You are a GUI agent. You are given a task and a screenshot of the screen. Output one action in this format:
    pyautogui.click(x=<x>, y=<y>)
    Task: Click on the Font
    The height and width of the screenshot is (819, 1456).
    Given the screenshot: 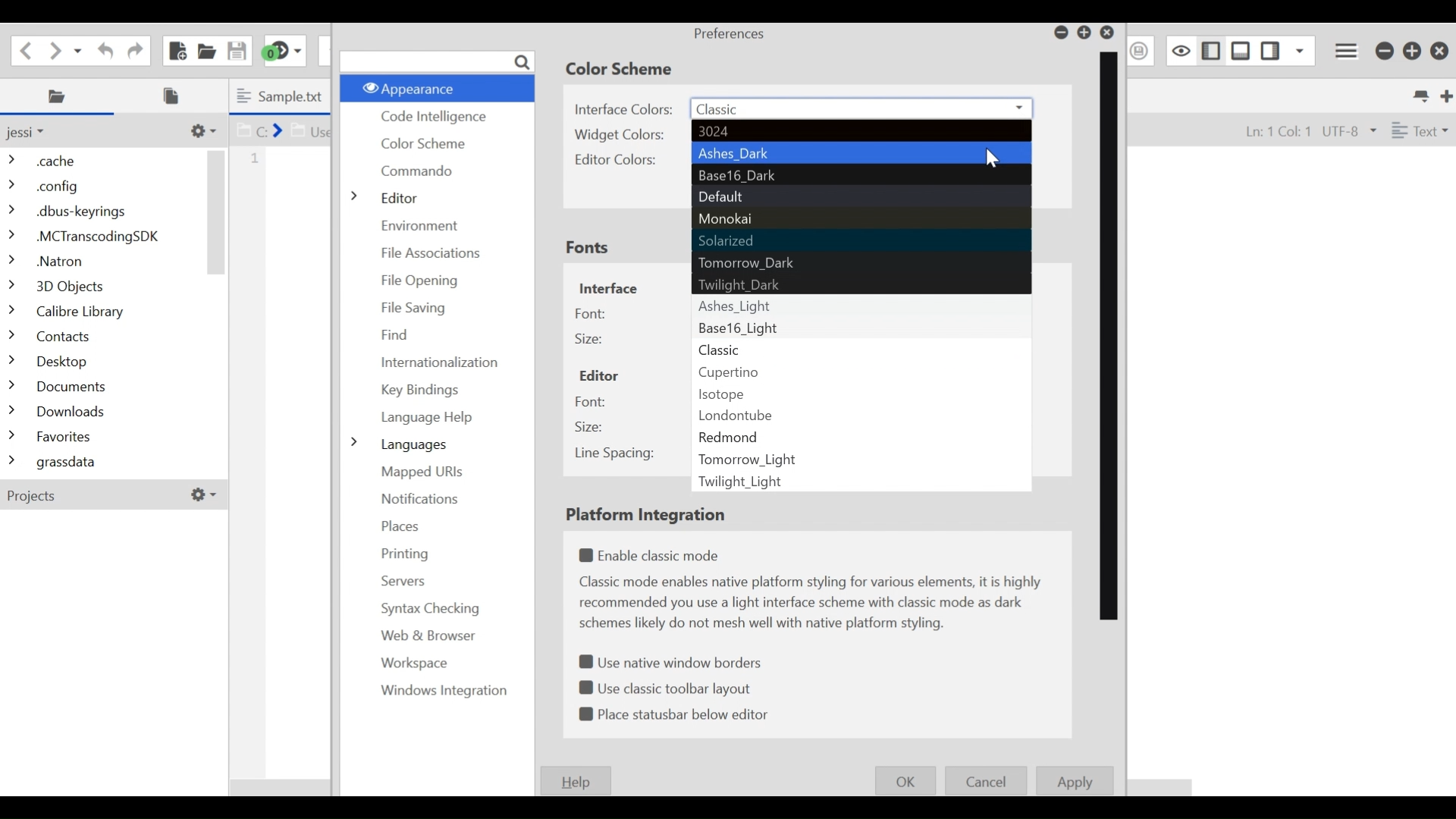 What is the action you would take?
    pyautogui.click(x=591, y=313)
    